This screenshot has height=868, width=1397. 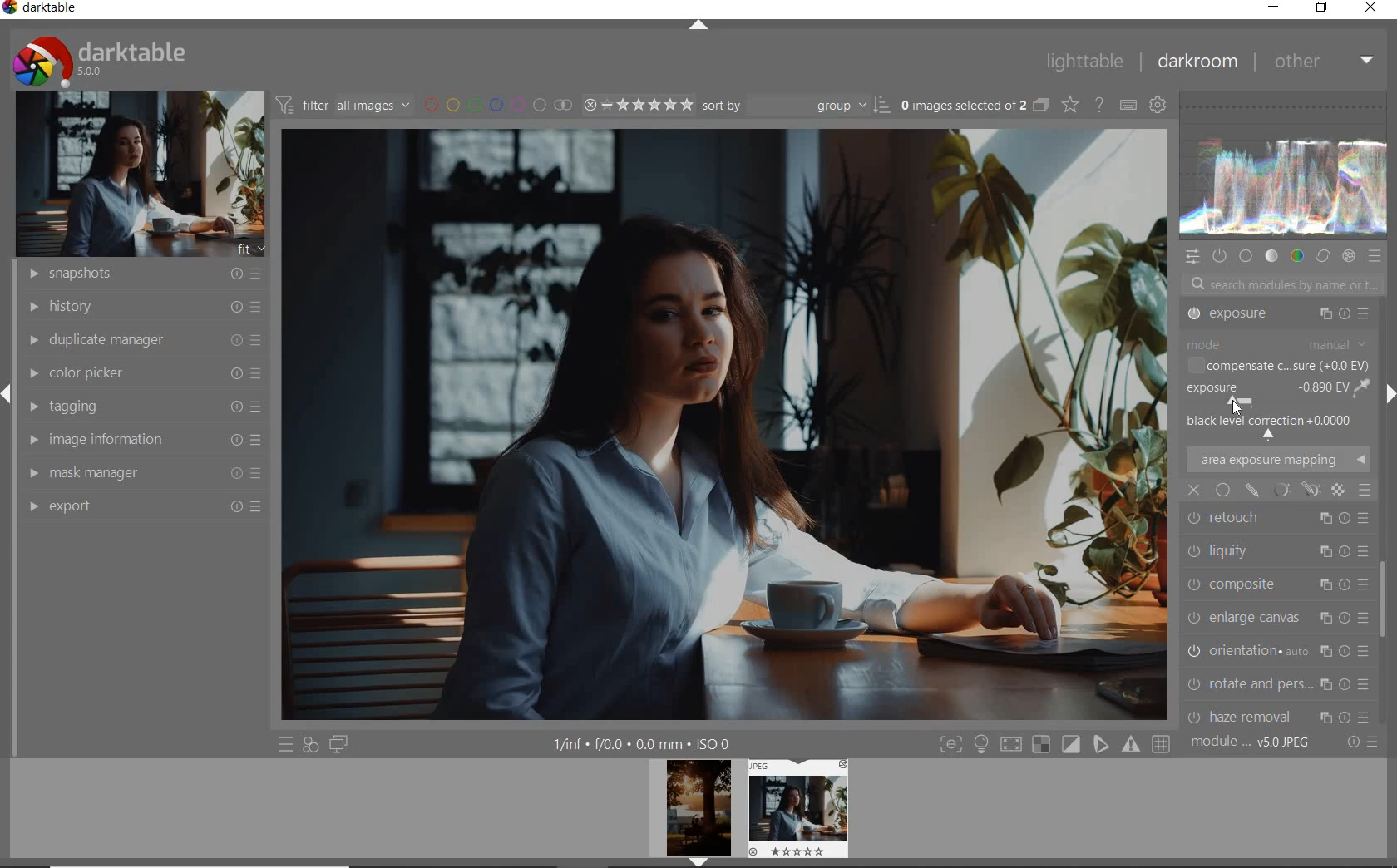 I want to click on OTHER, so click(x=1325, y=64).